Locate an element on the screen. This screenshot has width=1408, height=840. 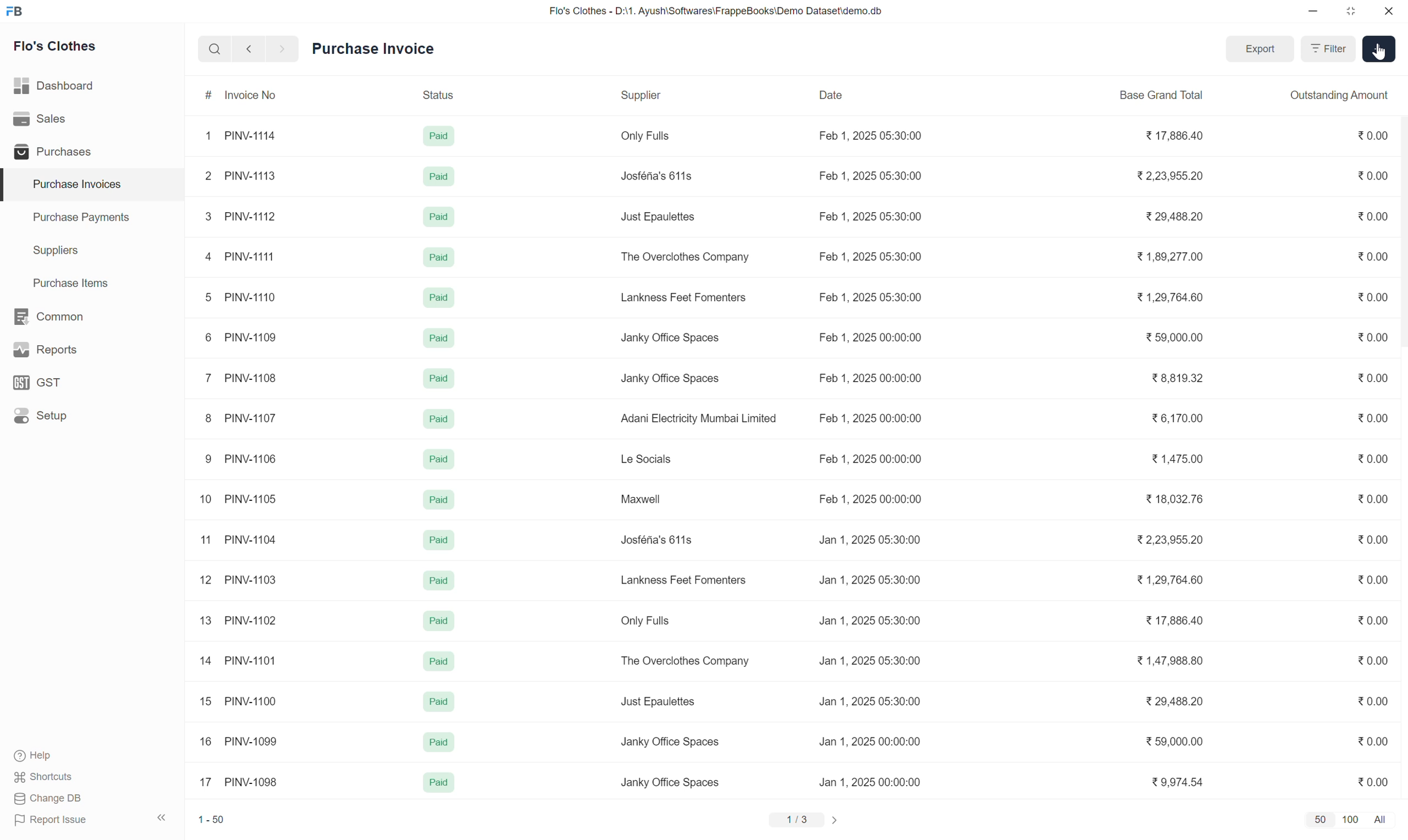
Paid is located at coordinates (439, 217).